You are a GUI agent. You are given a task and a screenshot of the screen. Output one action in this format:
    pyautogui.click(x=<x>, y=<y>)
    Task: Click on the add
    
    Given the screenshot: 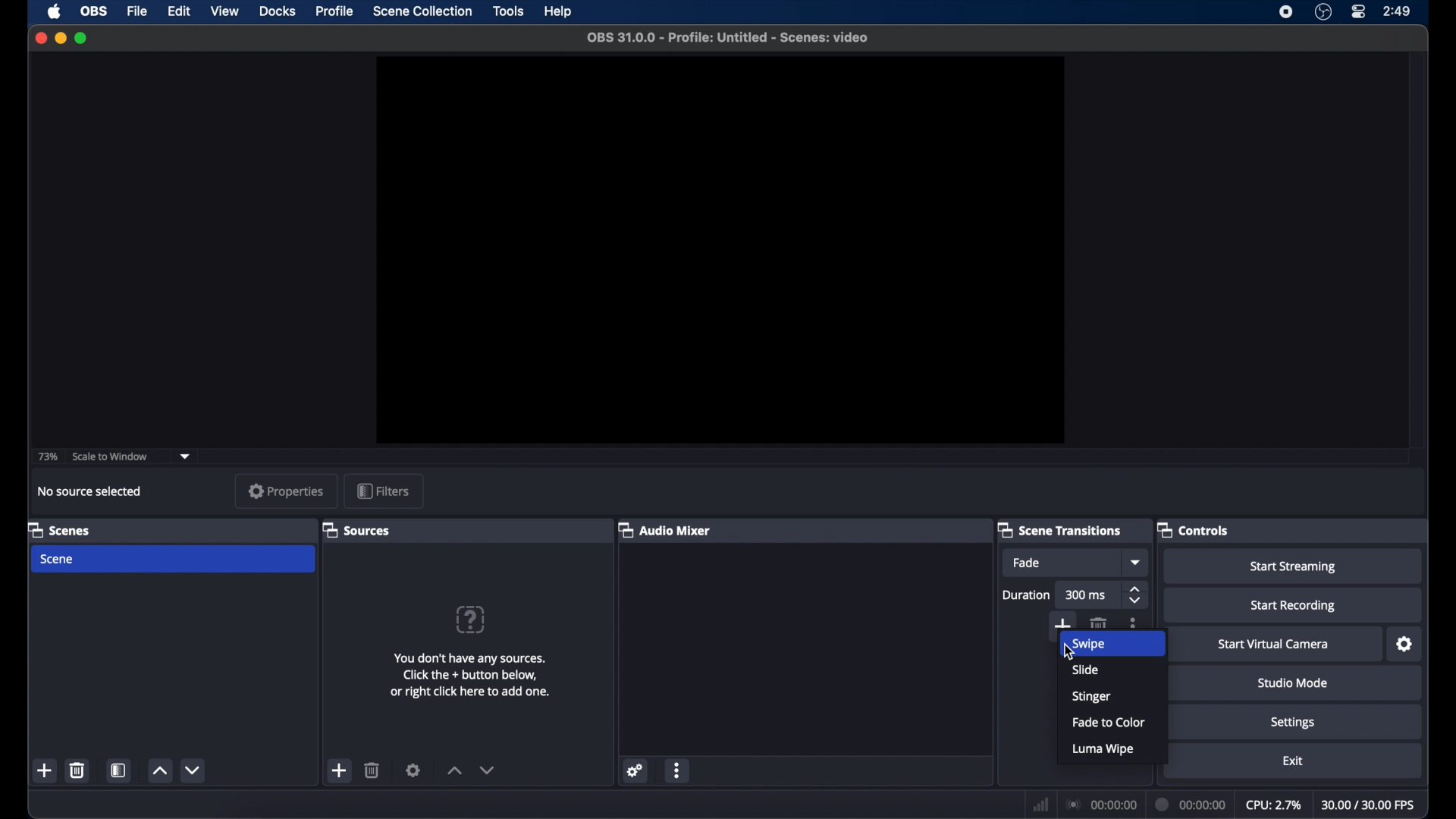 What is the action you would take?
    pyautogui.click(x=340, y=770)
    